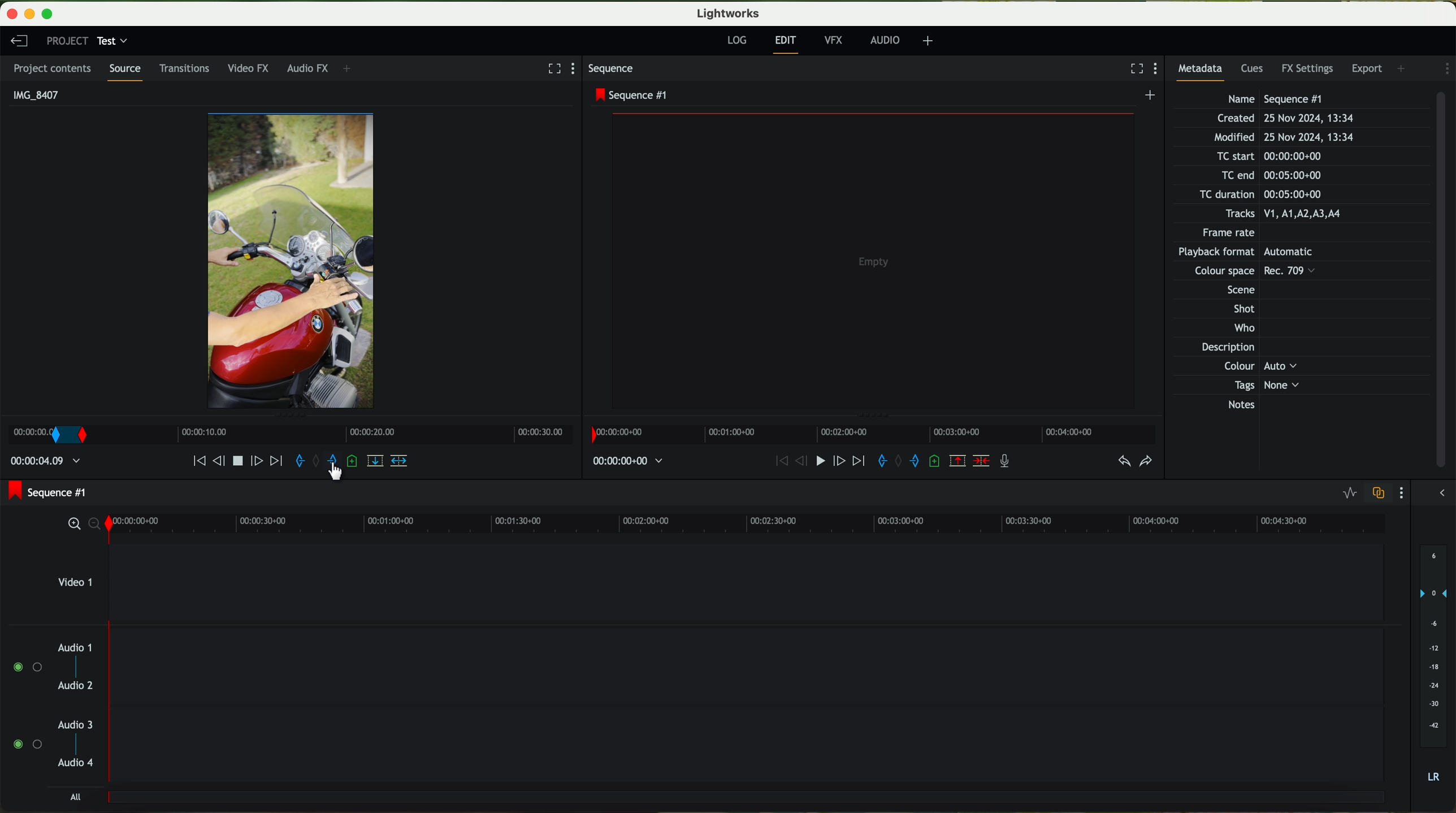 The width and height of the screenshot is (1456, 813). Describe the element at coordinates (47, 463) in the screenshot. I see `time` at that location.